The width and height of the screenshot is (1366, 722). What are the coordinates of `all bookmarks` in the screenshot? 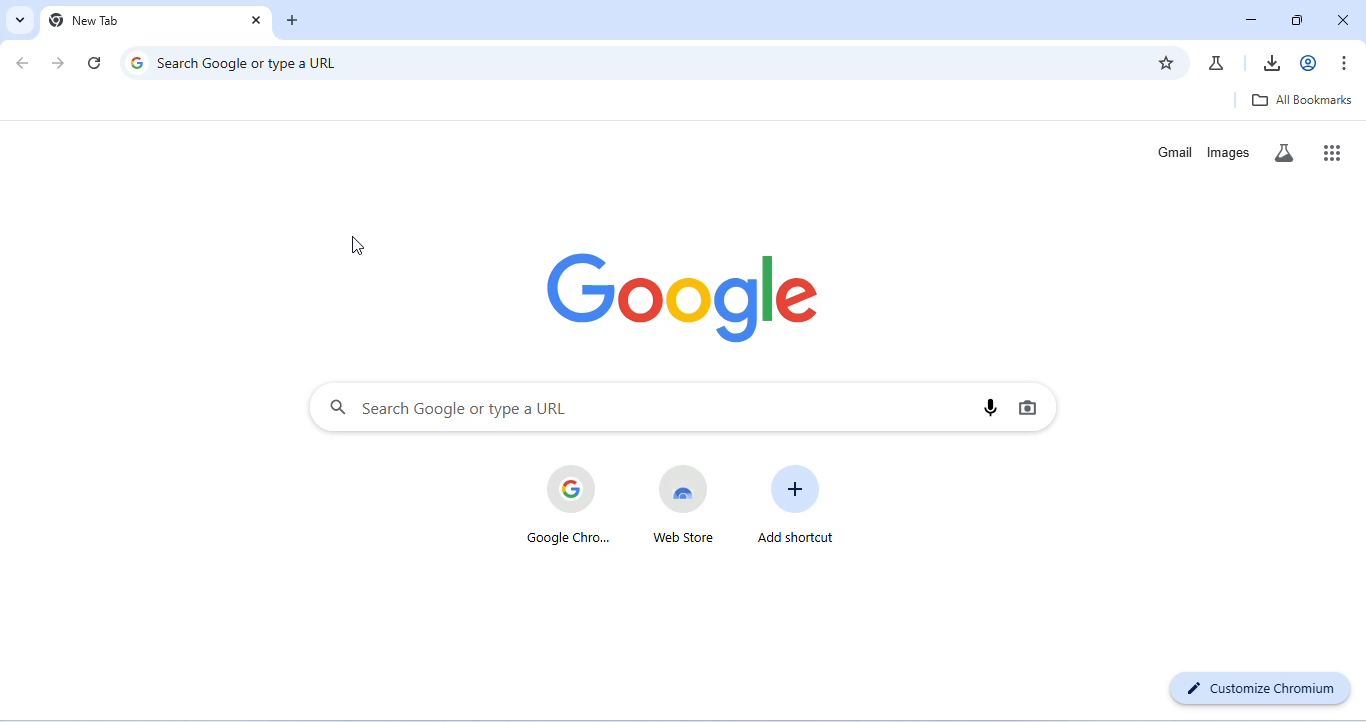 It's located at (1304, 103).